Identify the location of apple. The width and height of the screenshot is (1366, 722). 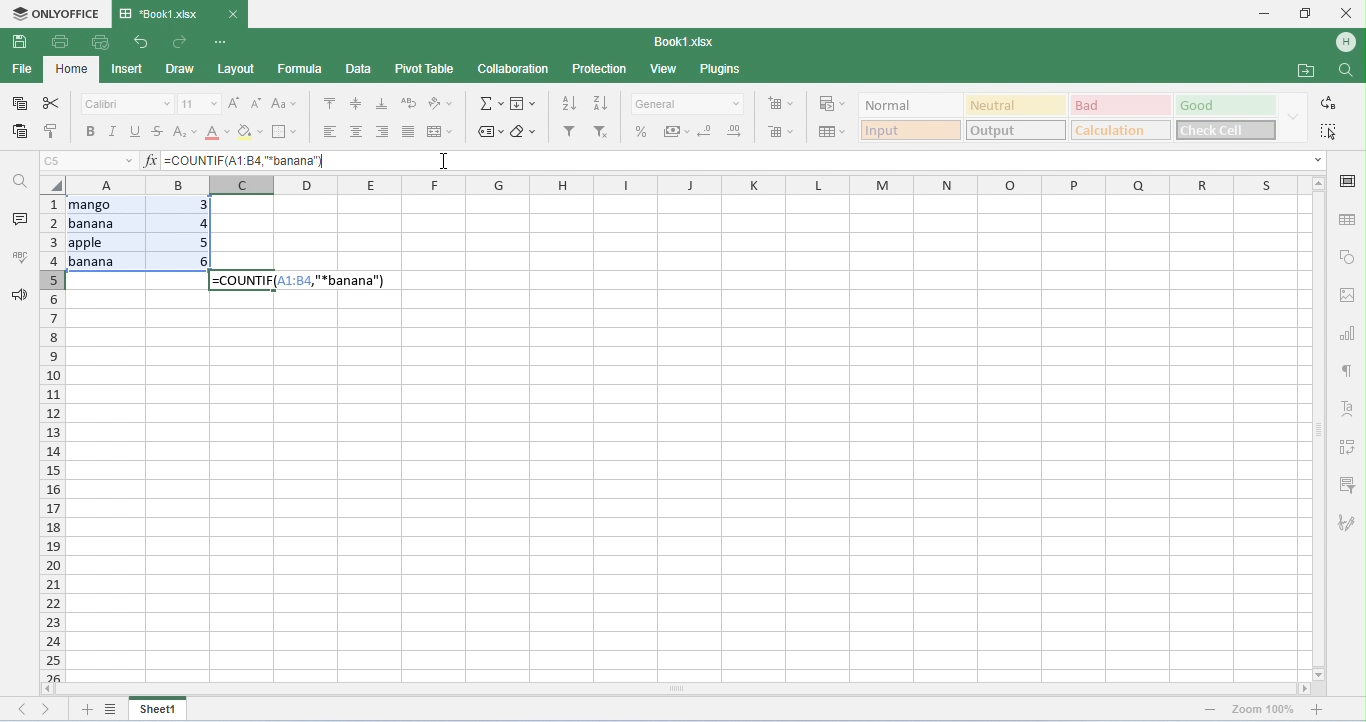
(105, 242).